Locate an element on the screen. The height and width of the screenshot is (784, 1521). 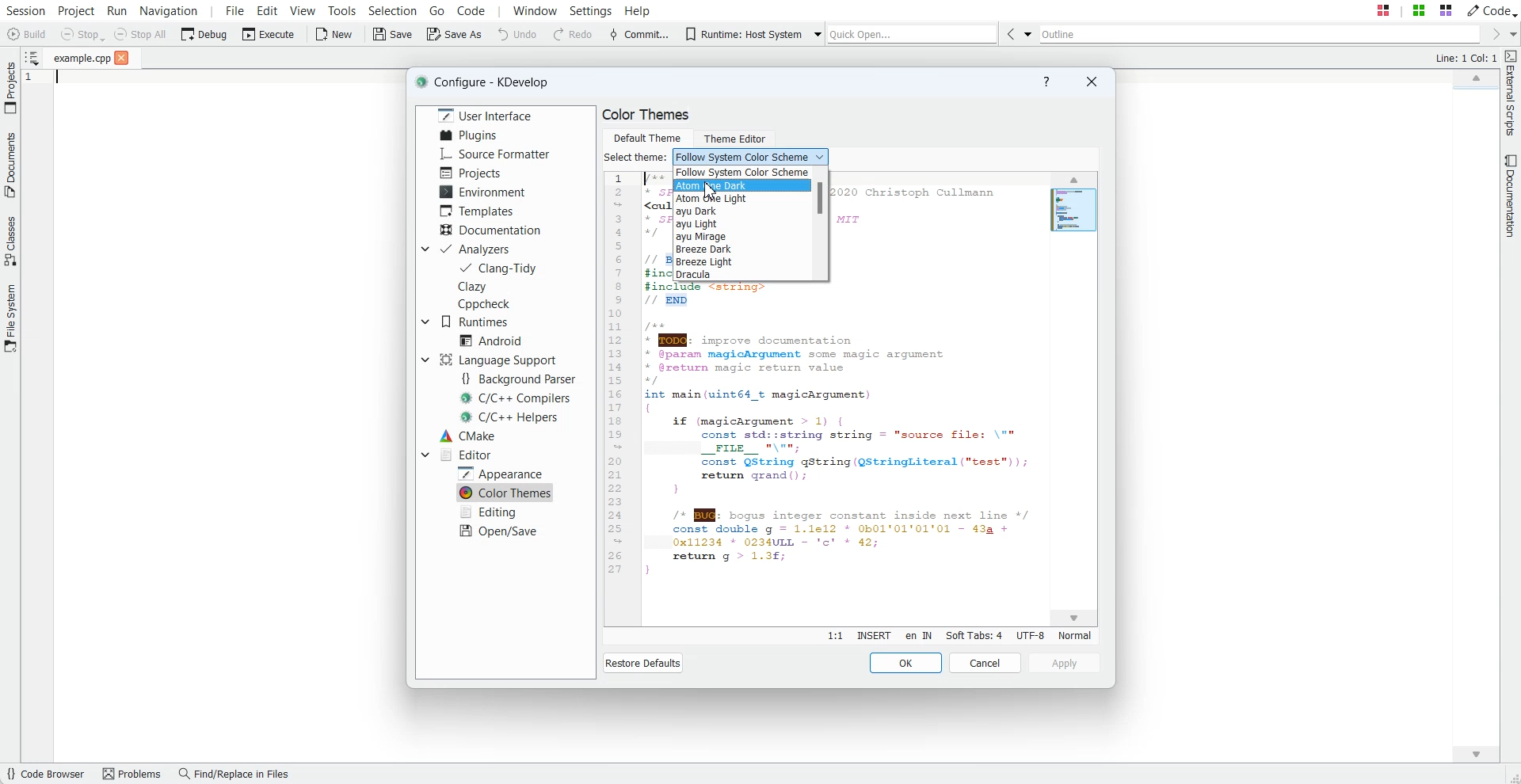
Drop down box is located at coordinates (425, 360).